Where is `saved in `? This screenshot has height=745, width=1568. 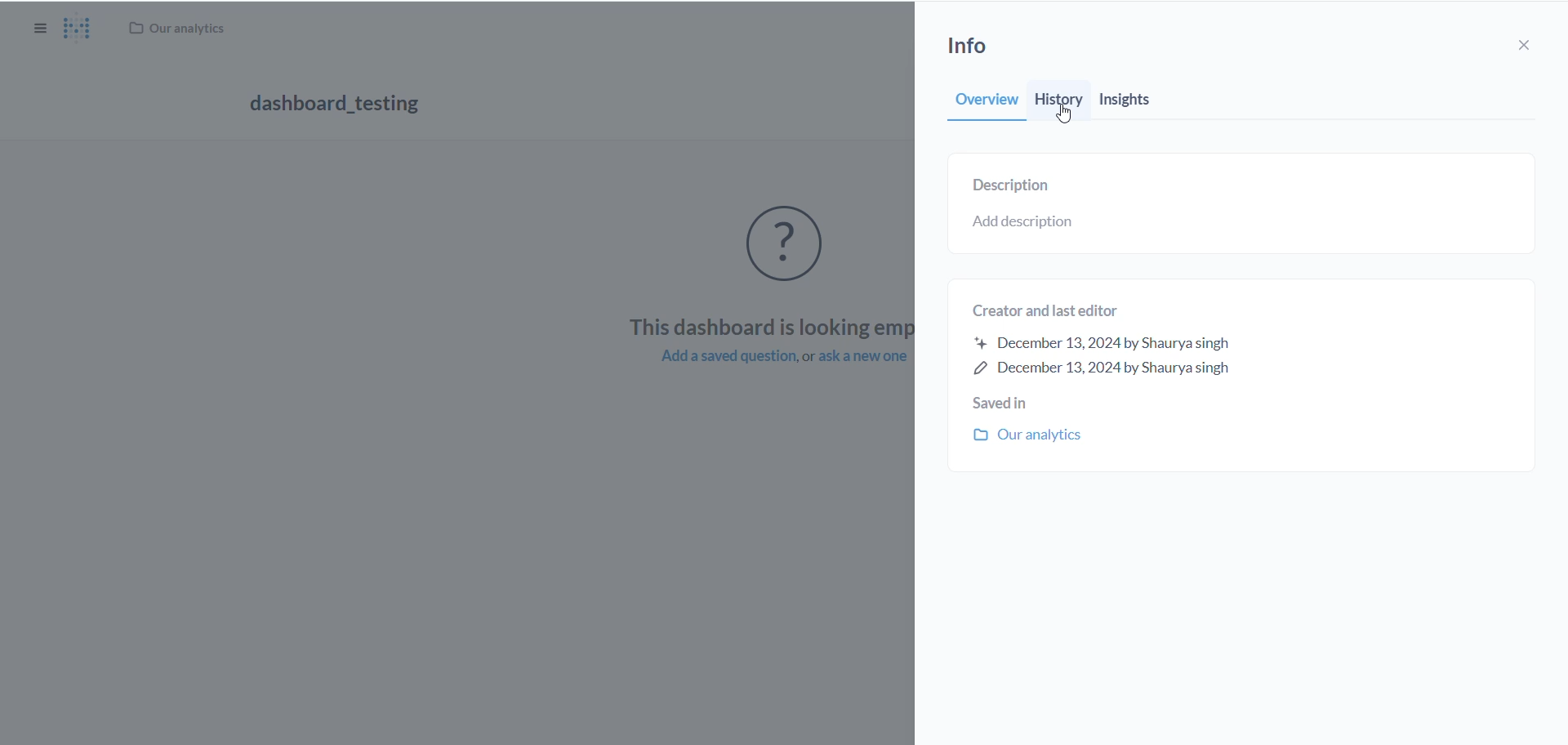 saved in  is located at coordinates (1021, 404).